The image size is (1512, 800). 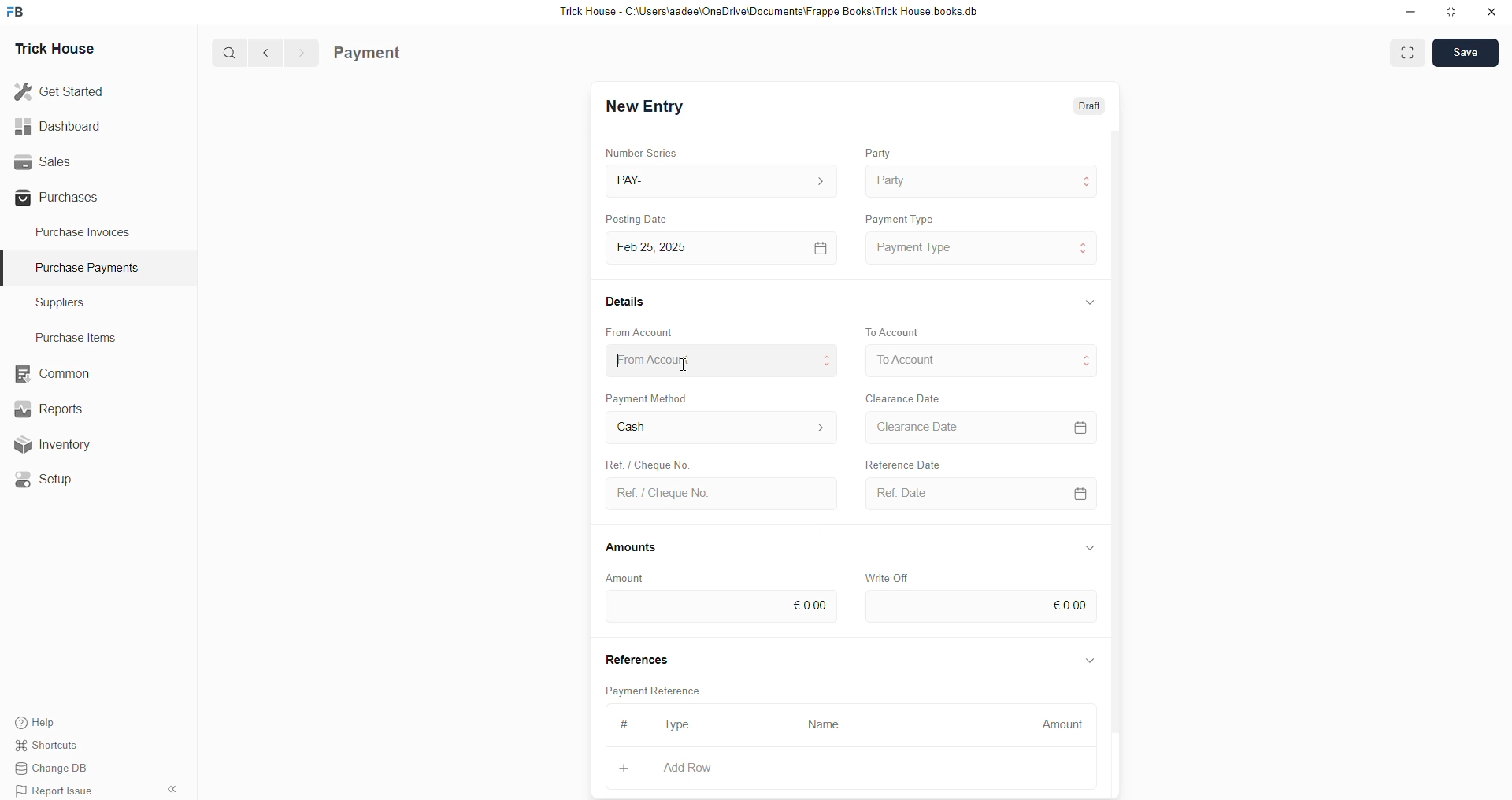 I want to click on Clearance Date, so click(x=906, y=397).